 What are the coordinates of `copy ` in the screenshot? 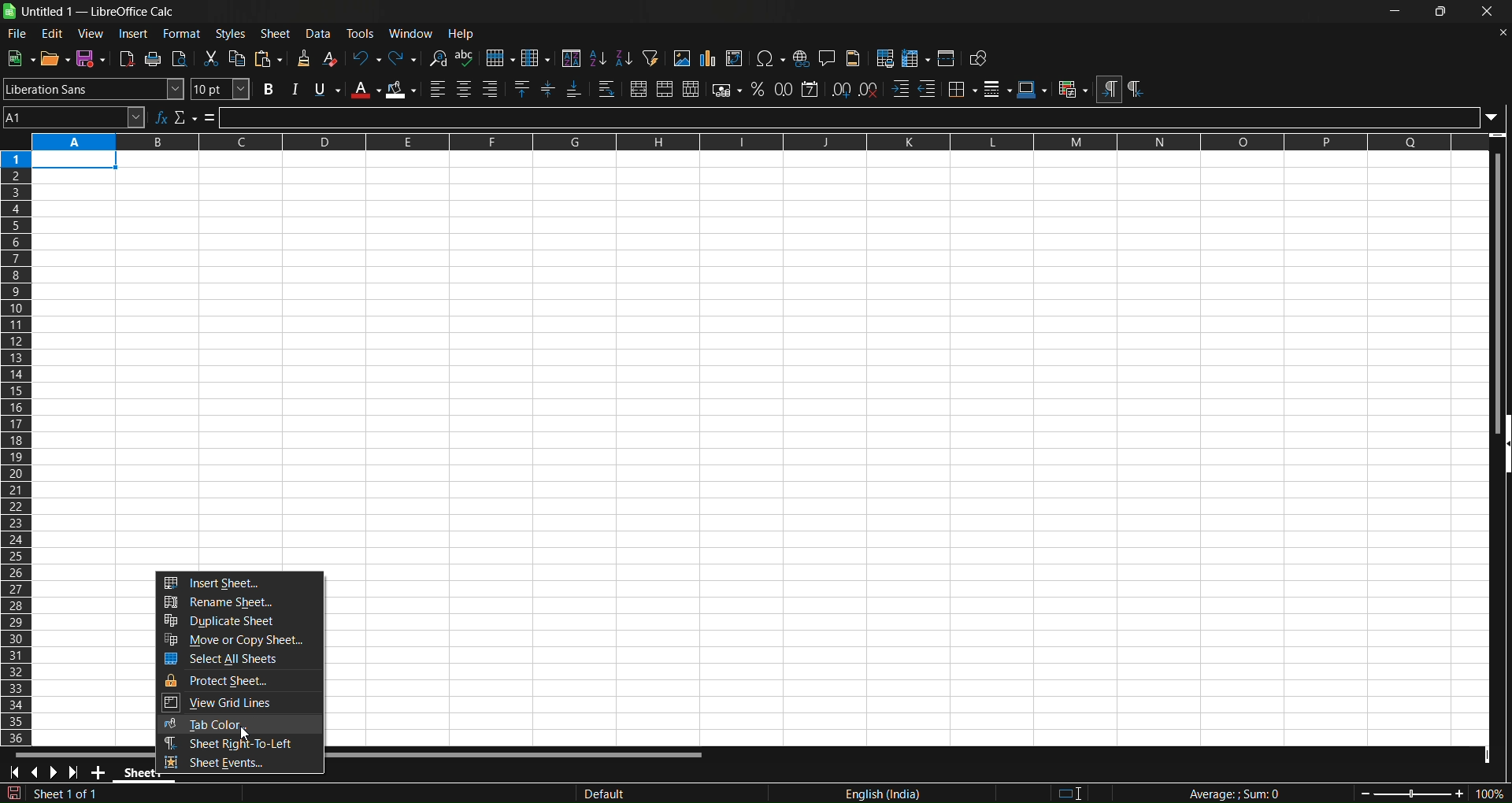 It's located at (239, 58).